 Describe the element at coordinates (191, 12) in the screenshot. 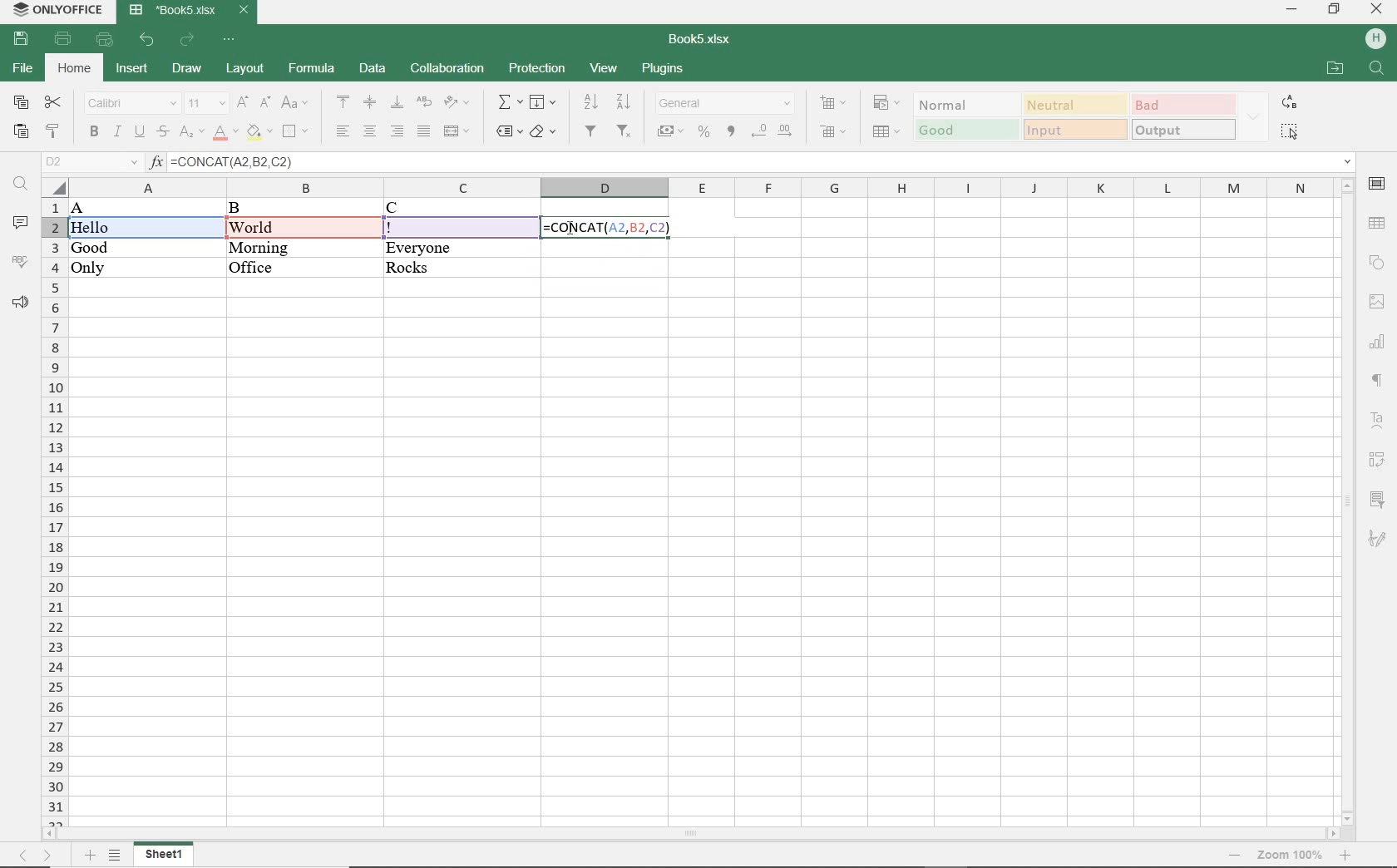

I see `DOCUMENT NAME` at that location.